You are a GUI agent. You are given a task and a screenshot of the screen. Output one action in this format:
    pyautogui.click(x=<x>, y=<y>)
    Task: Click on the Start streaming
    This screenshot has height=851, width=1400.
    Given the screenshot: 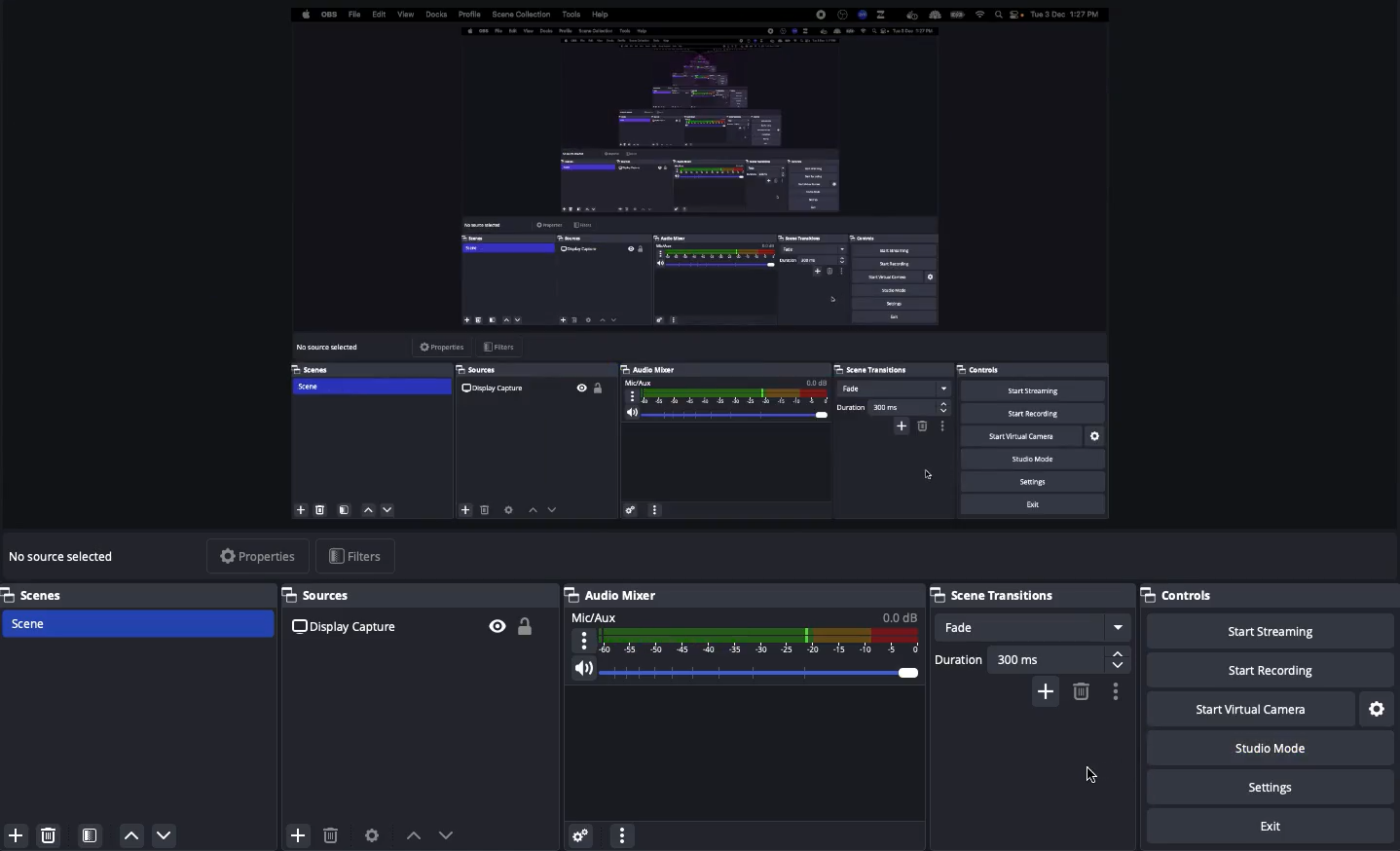 What is the action you would take?
    pyautogui.click(x=1275, y=631)
    